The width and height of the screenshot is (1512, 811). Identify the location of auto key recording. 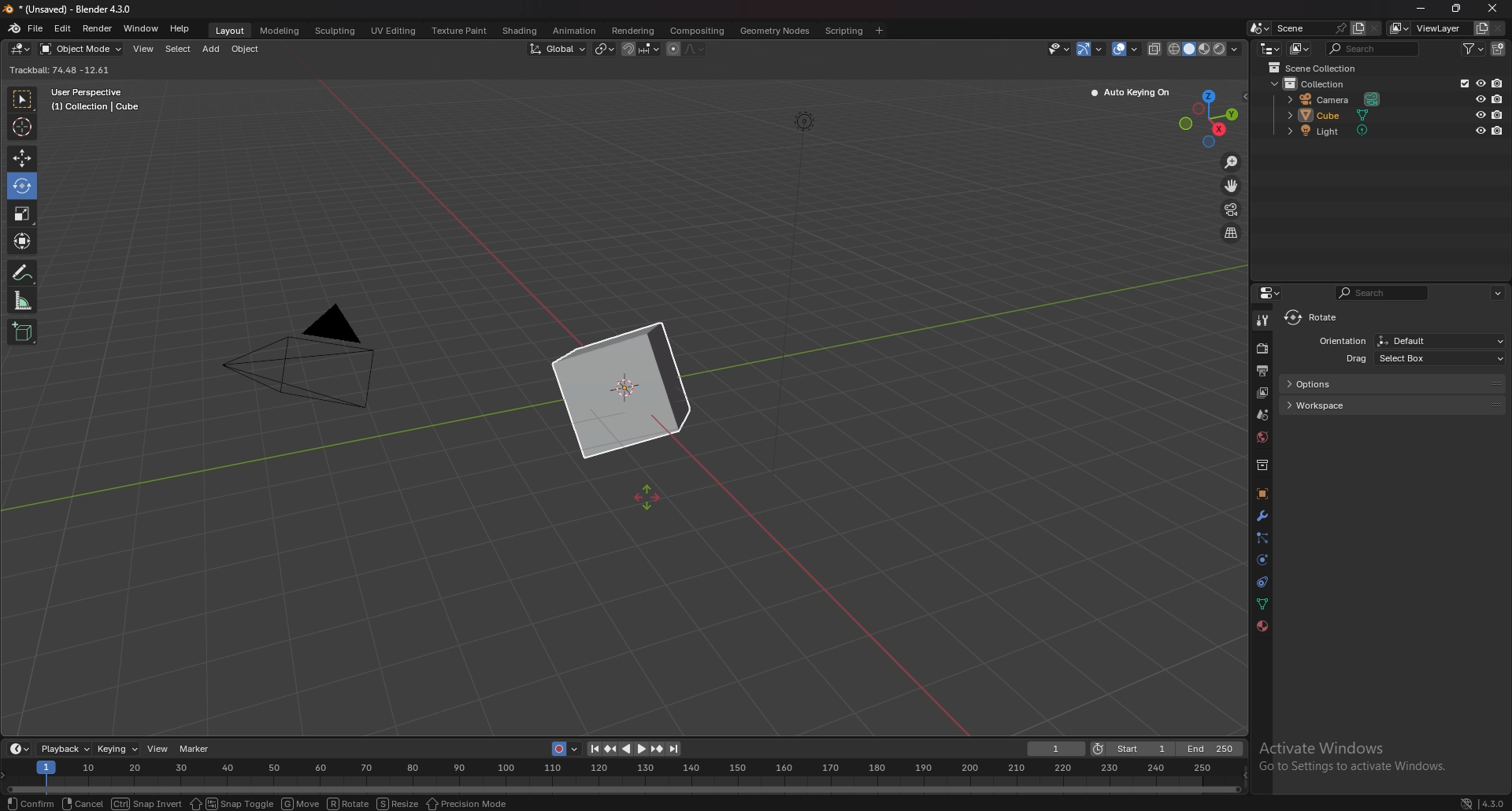
(562, 749).